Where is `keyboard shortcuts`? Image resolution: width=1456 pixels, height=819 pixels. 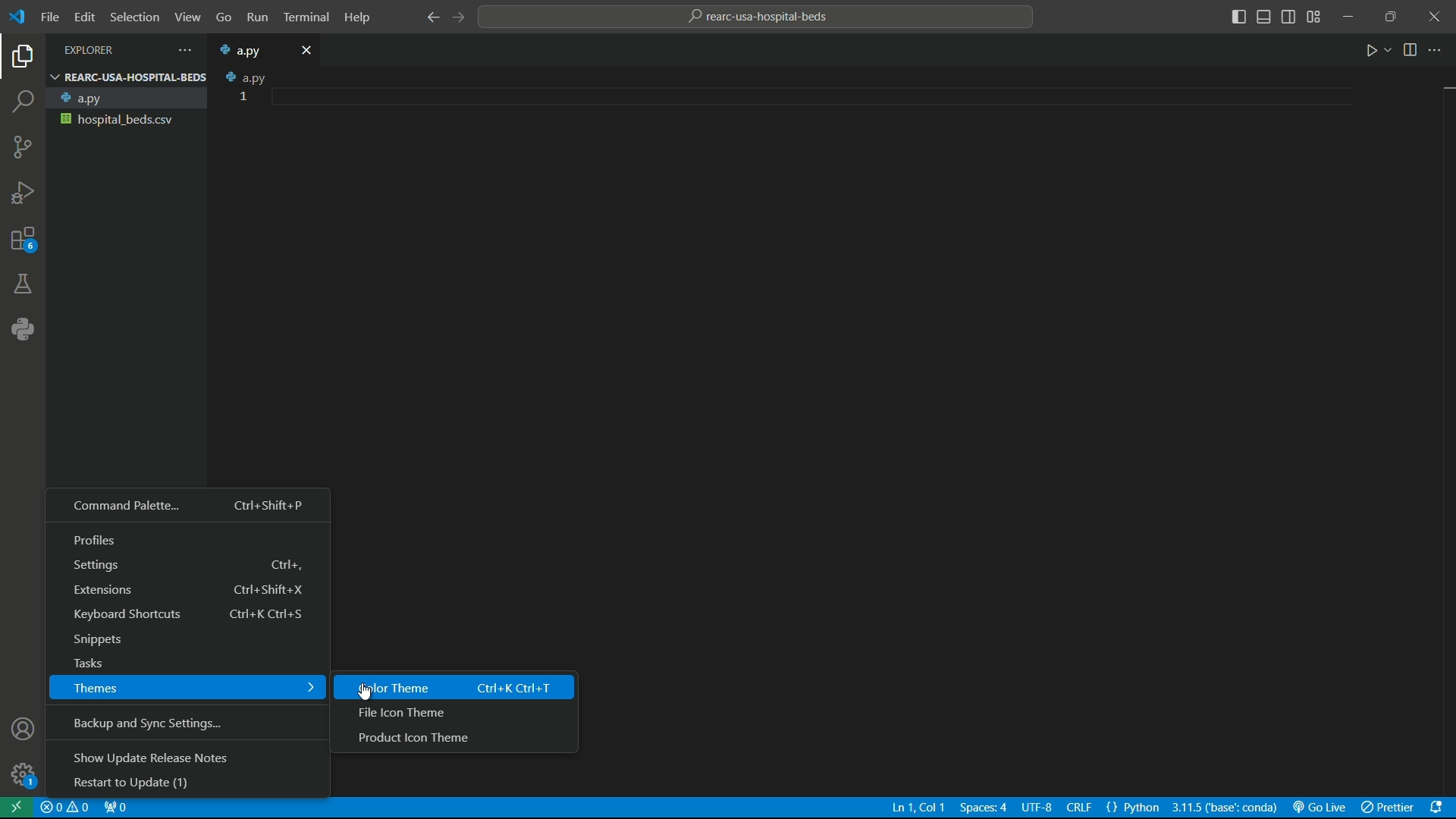 keyboard shortcuts is located at coordinates (187, 614).